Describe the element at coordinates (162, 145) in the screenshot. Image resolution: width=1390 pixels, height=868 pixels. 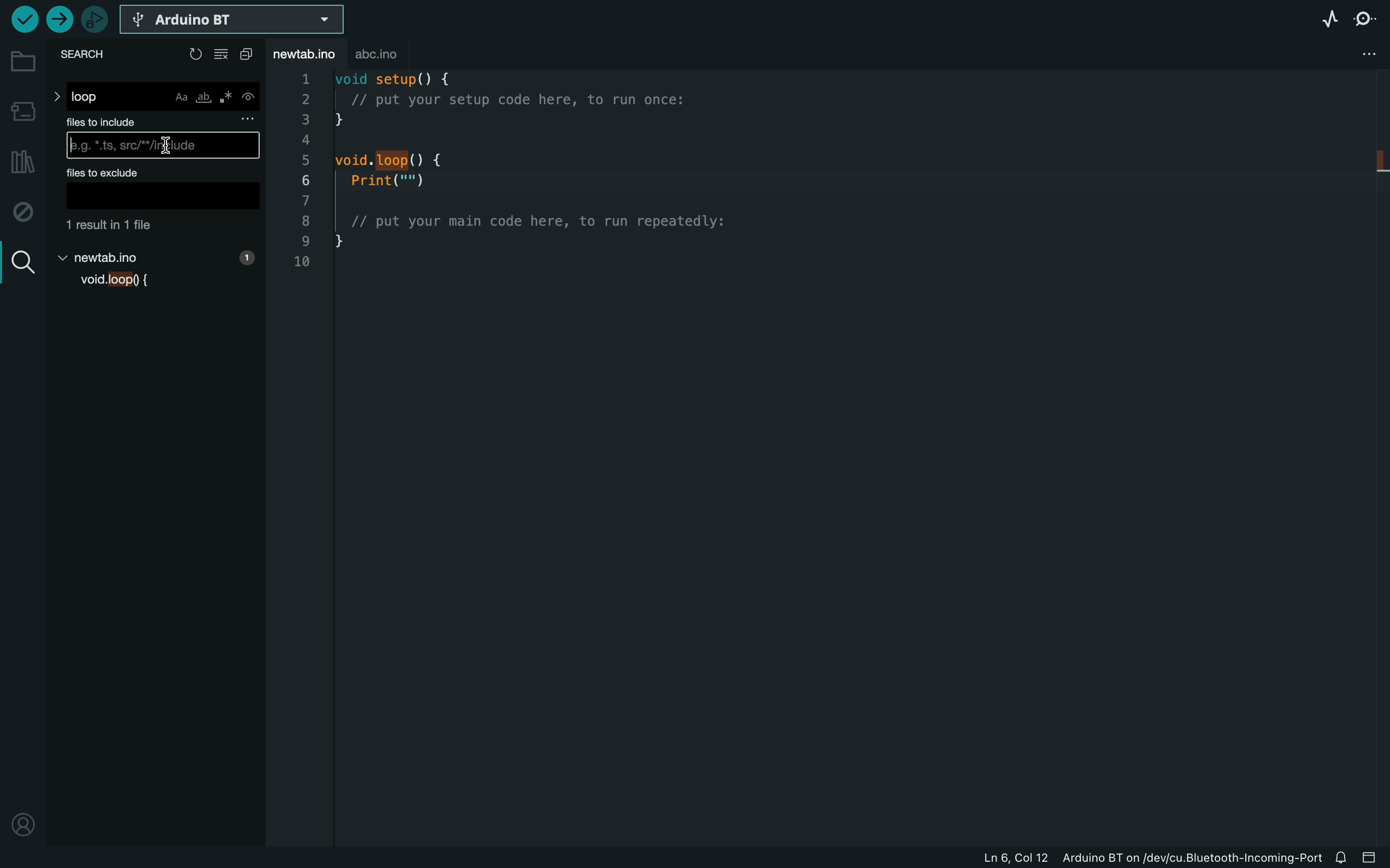
I see `cursor` at that location.